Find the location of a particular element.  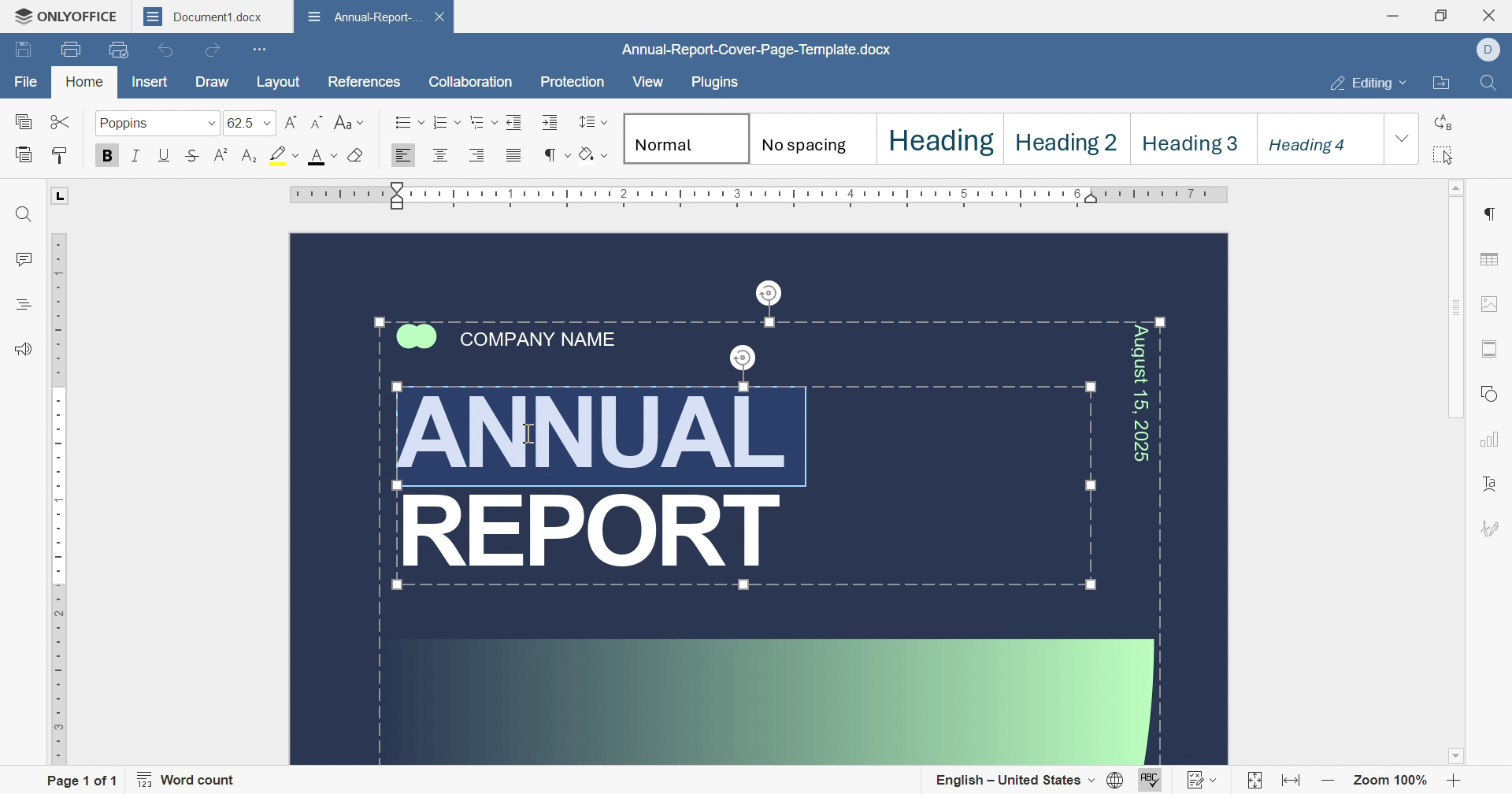

close is located at coordinates (1492, 17).